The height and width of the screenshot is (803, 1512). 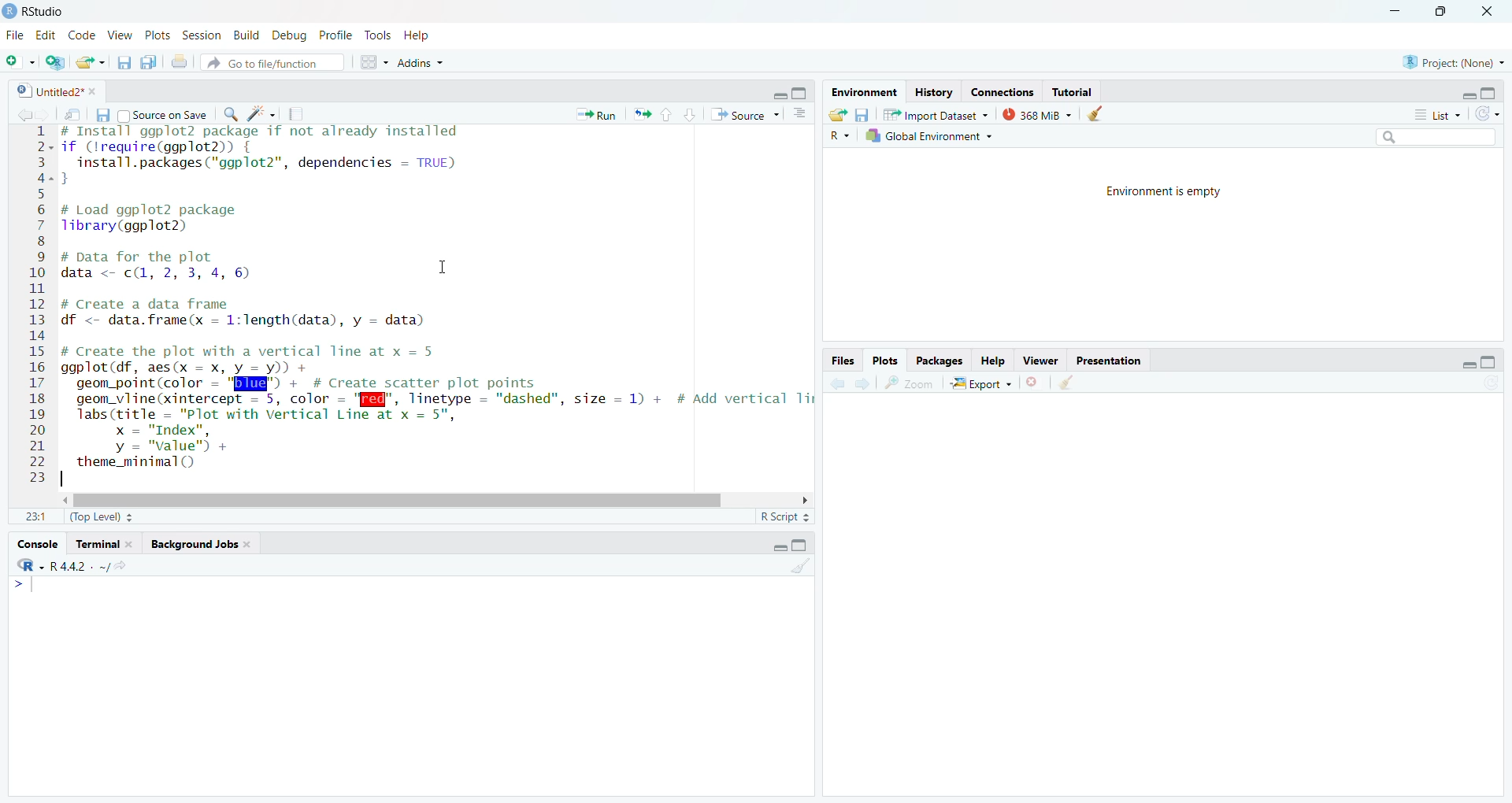 What do you see at coordinates (376, 35) in the screenshot?
I see `e Tools` at bounding box center [376, 35].